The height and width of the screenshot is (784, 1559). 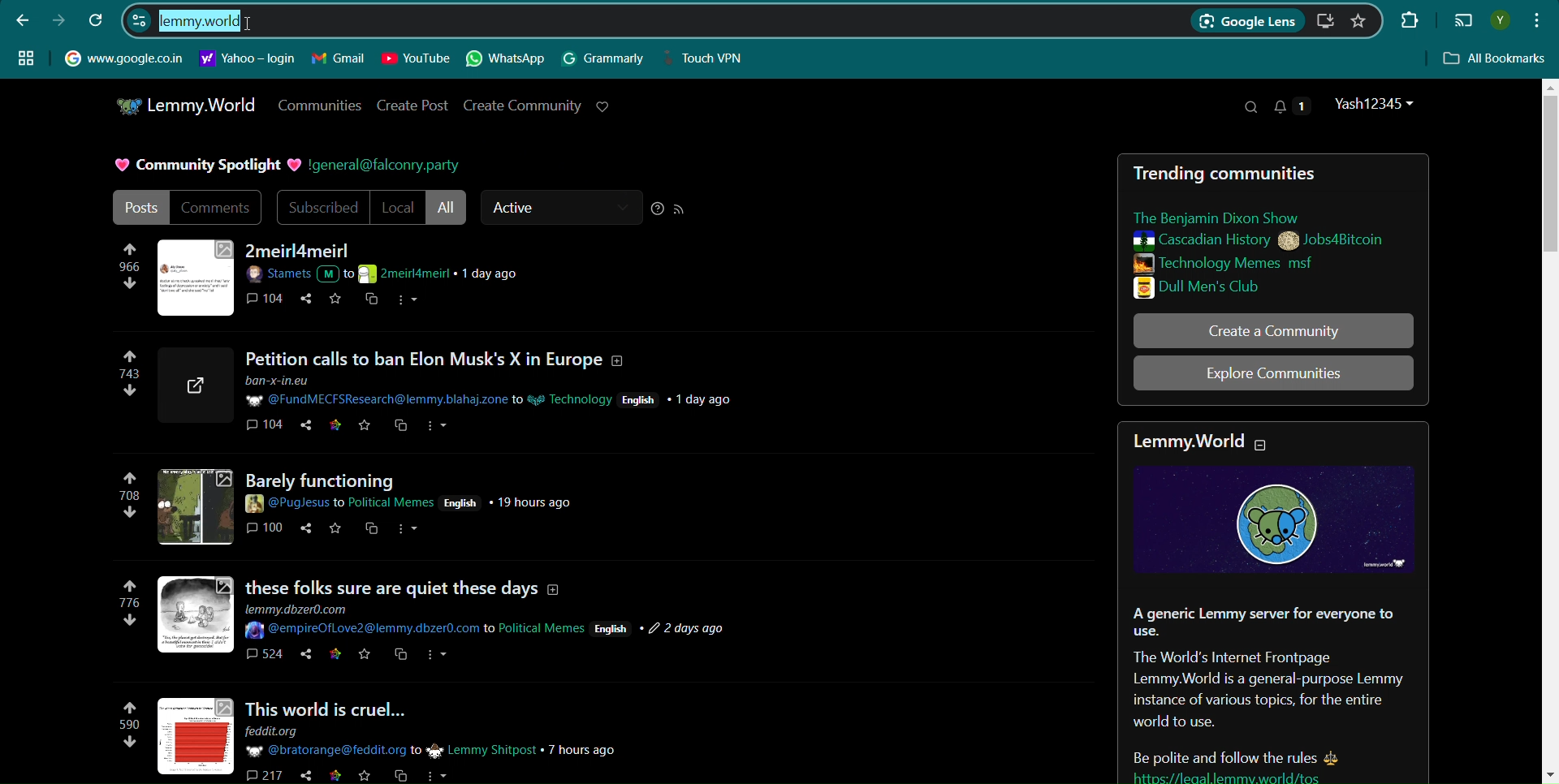 I want to click on A generic Lemmy server for everyone to use., so click(x=1262, y=622).